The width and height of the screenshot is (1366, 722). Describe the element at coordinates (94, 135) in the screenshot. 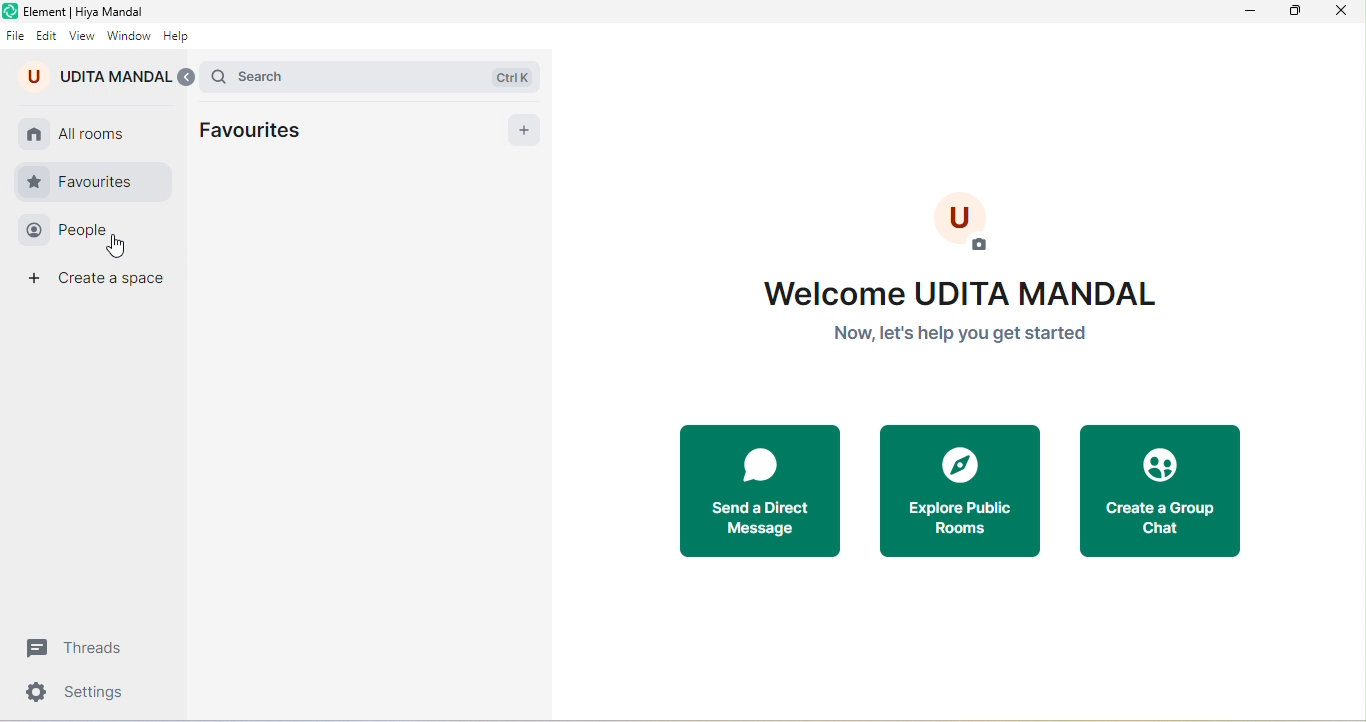

I see `all rooms` at that location.